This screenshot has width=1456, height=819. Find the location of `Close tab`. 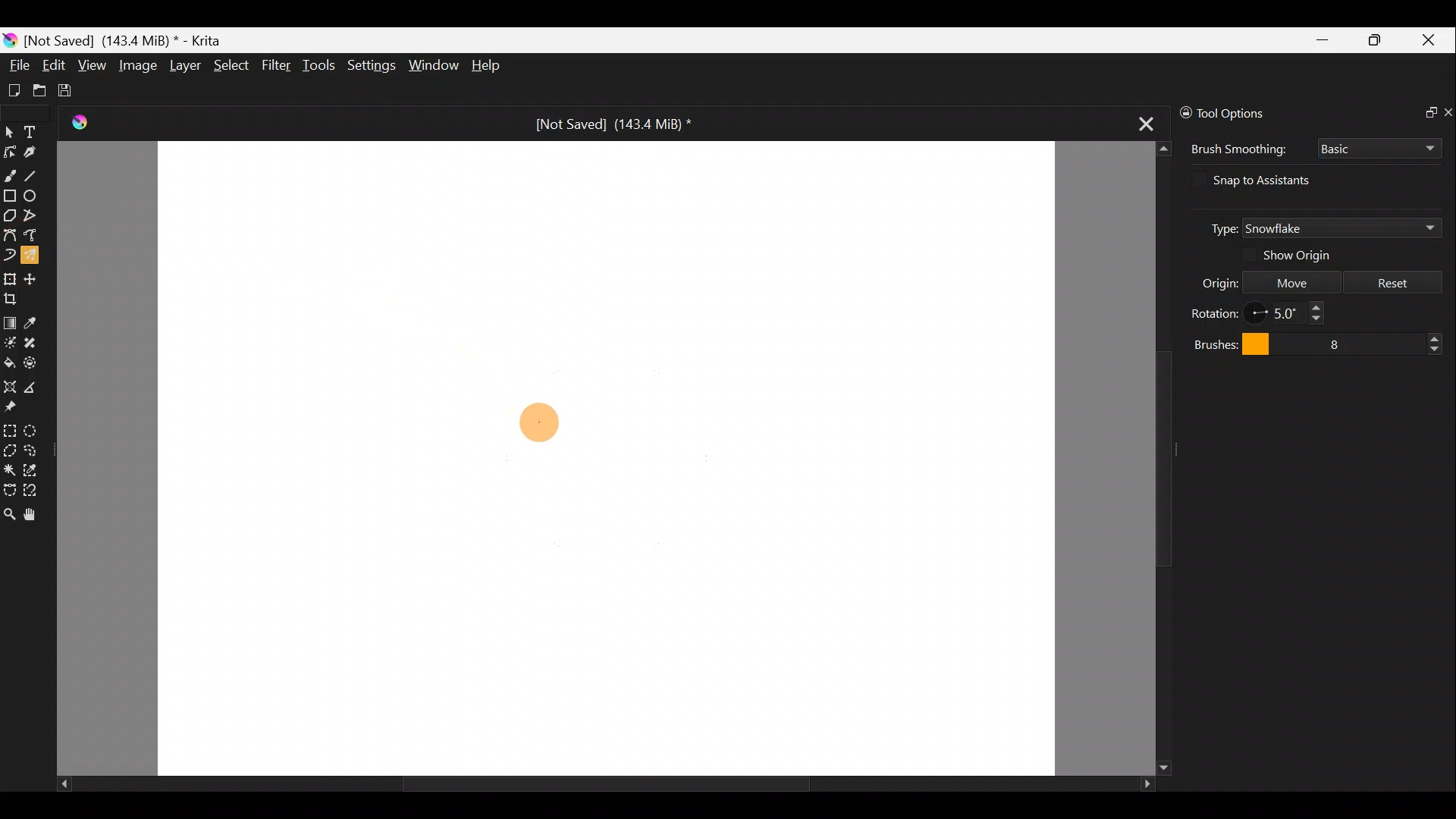

Close tab is located at coordinates (1147, 119).